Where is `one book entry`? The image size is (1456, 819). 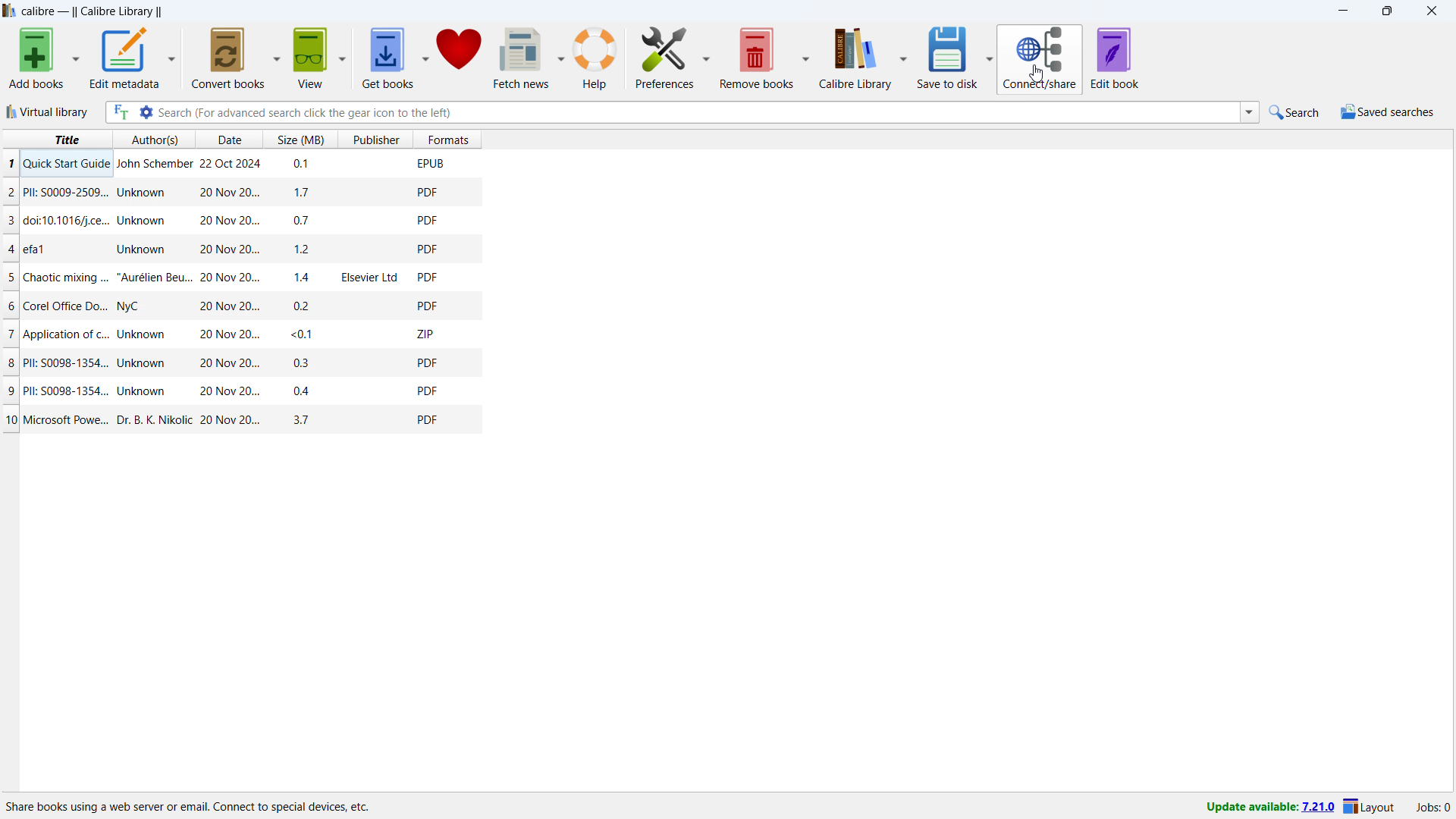
one book entry is located at coordinates (236, 334).